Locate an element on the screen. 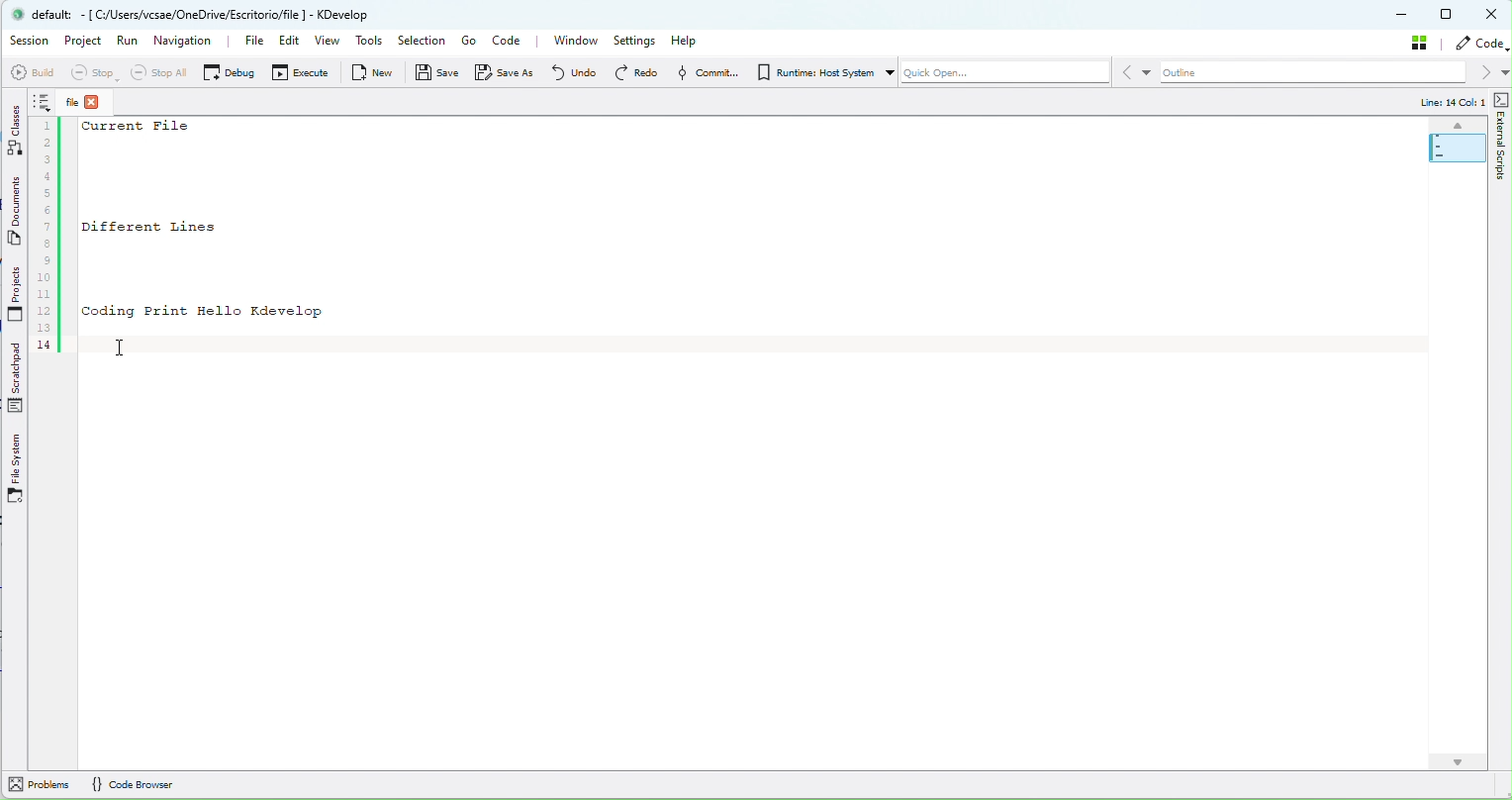 The height and width of the screenshot is (800, 1512). Problems (Information) is located at coordinates (41, 785).